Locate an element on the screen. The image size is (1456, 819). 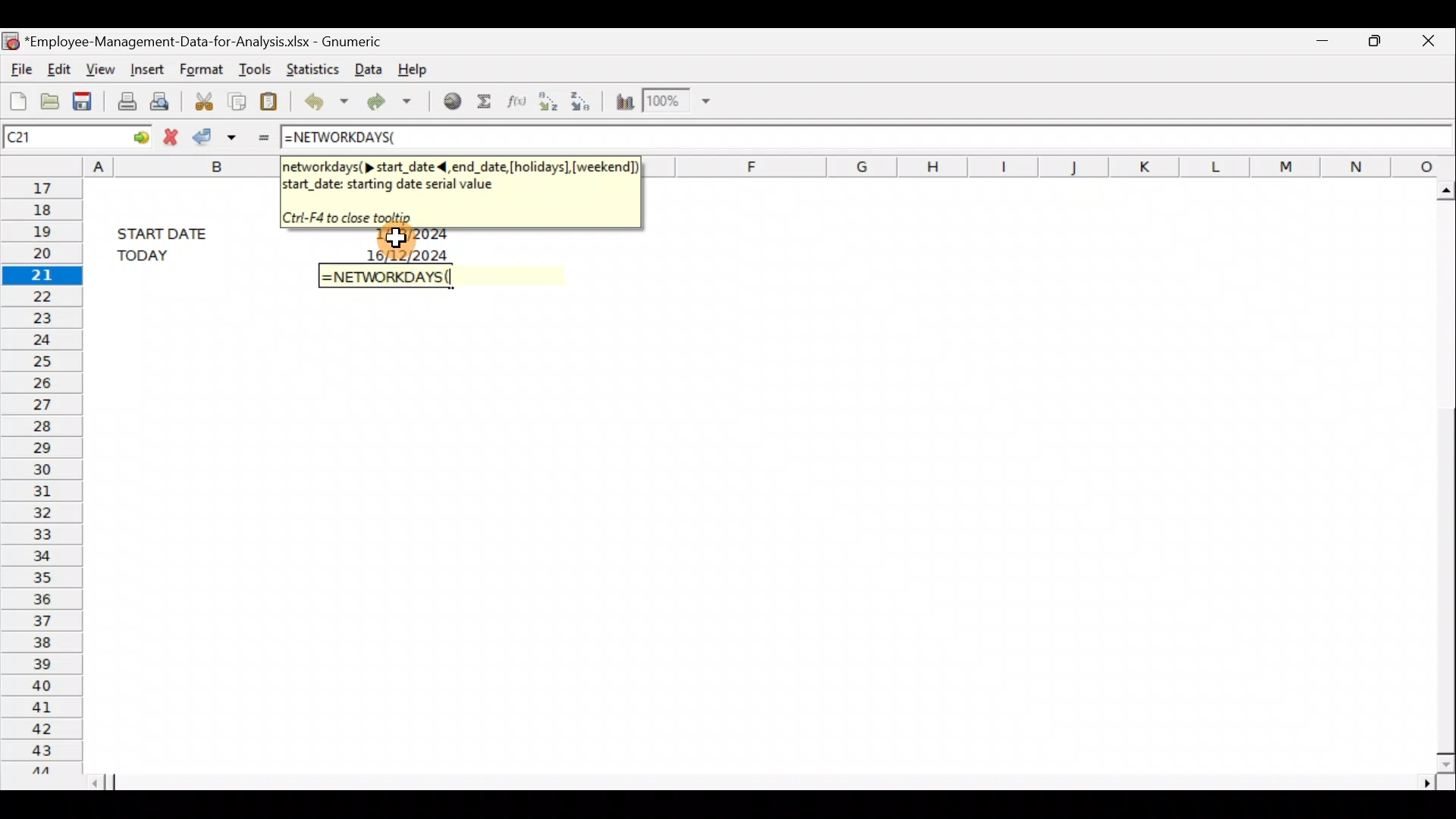
Insert is located at coordinates (146, 71).